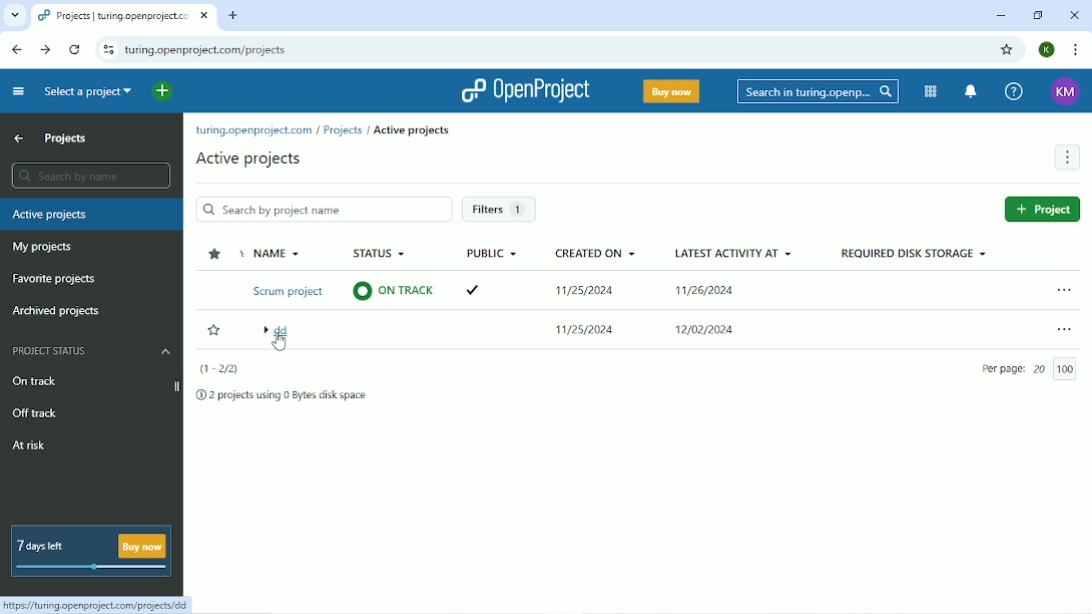  What do you see at coordinates (13, 15) in the screenshot?
I see `Search tabs` at bounding box center [13, 15].